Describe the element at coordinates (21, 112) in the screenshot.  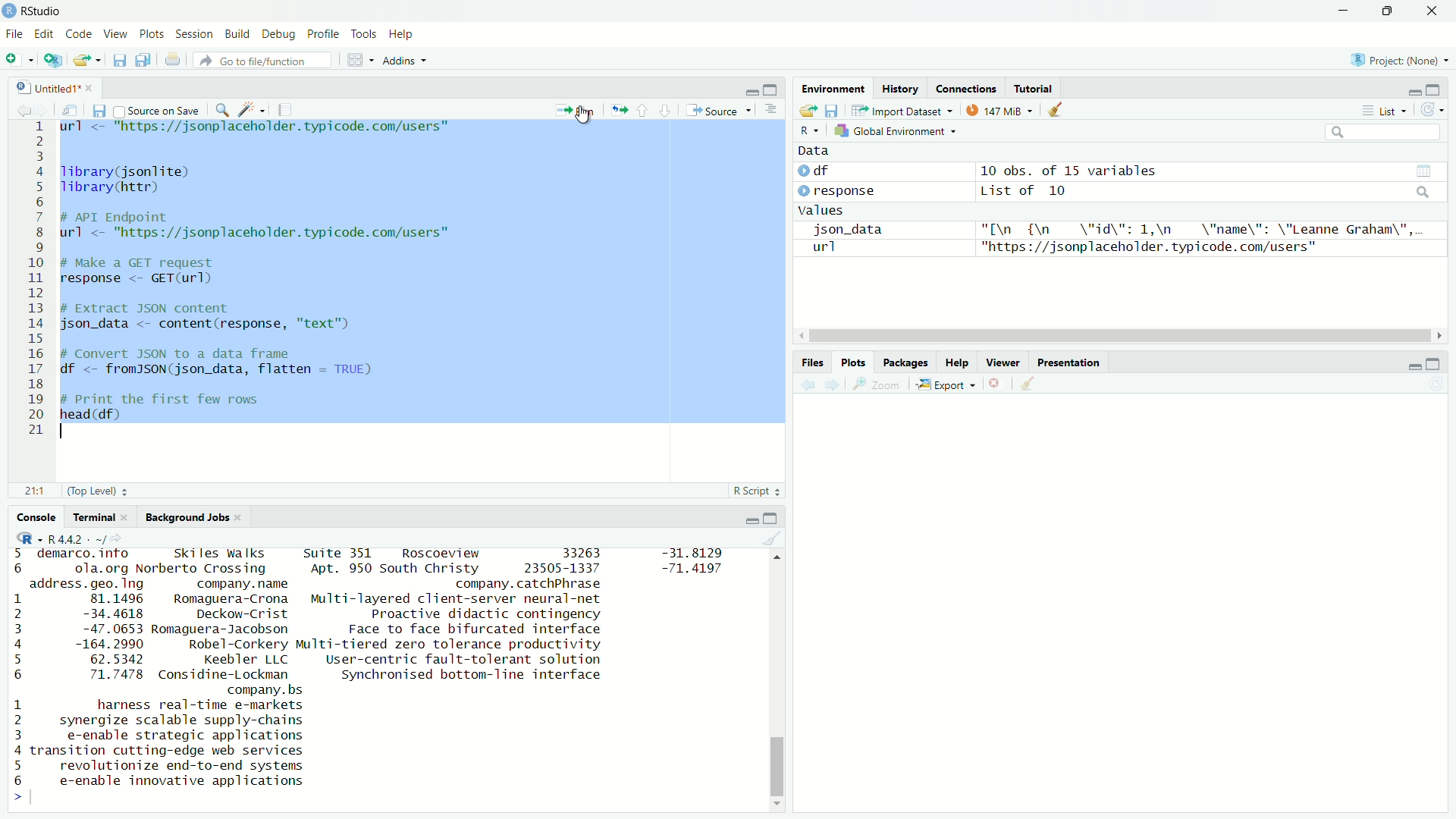
I see `Previous` at that location.